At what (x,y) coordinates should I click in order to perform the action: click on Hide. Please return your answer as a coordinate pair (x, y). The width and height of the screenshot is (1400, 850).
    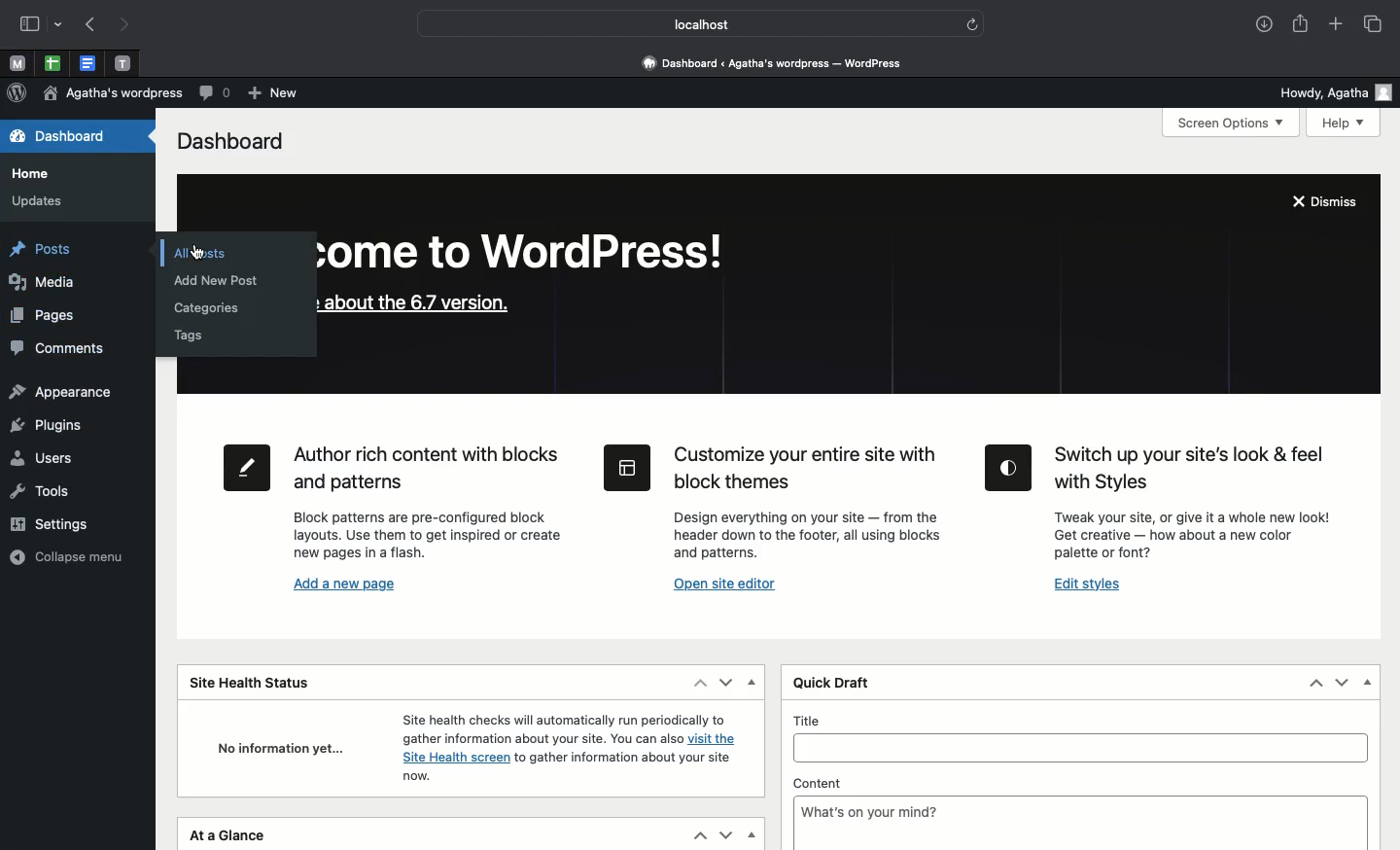
    Looking at the image, I should click on (1368, 682).